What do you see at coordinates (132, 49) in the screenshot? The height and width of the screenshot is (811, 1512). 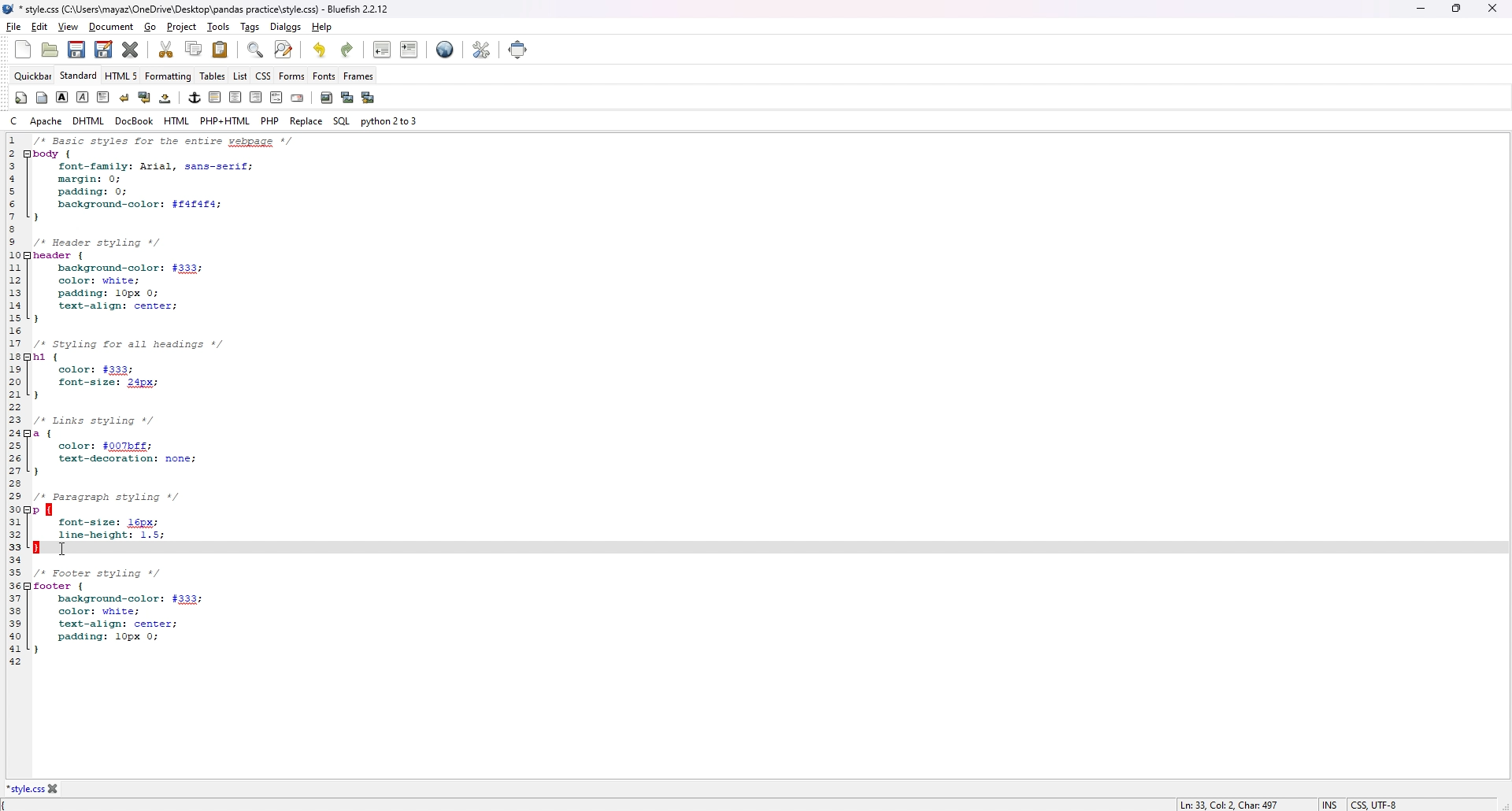 I see `close current file` at bounding box center [132, 49].